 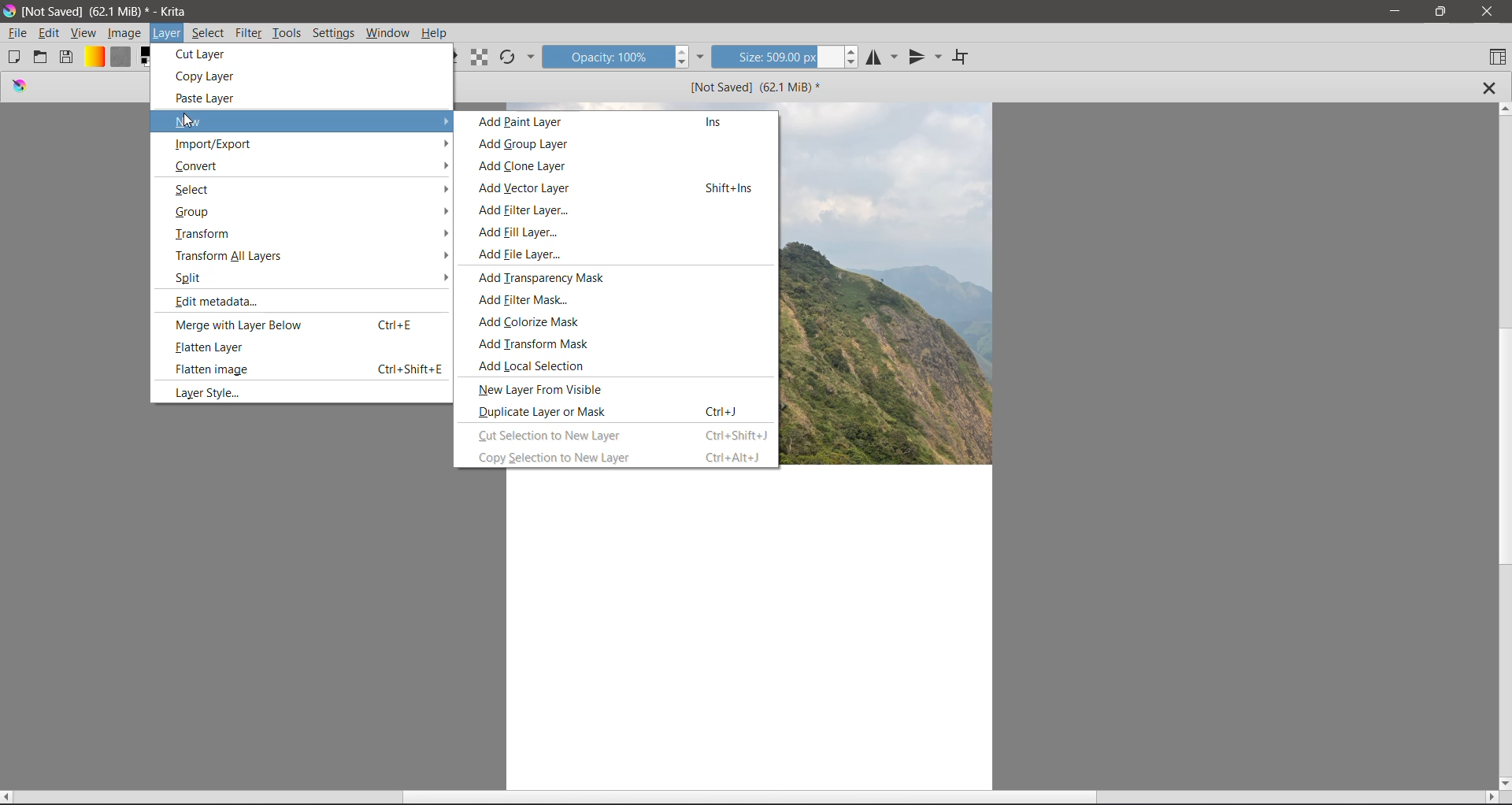 What do you see at coordinates (125, 32) in the screenshot?
I see `Image` at bounding box center [125, 32].